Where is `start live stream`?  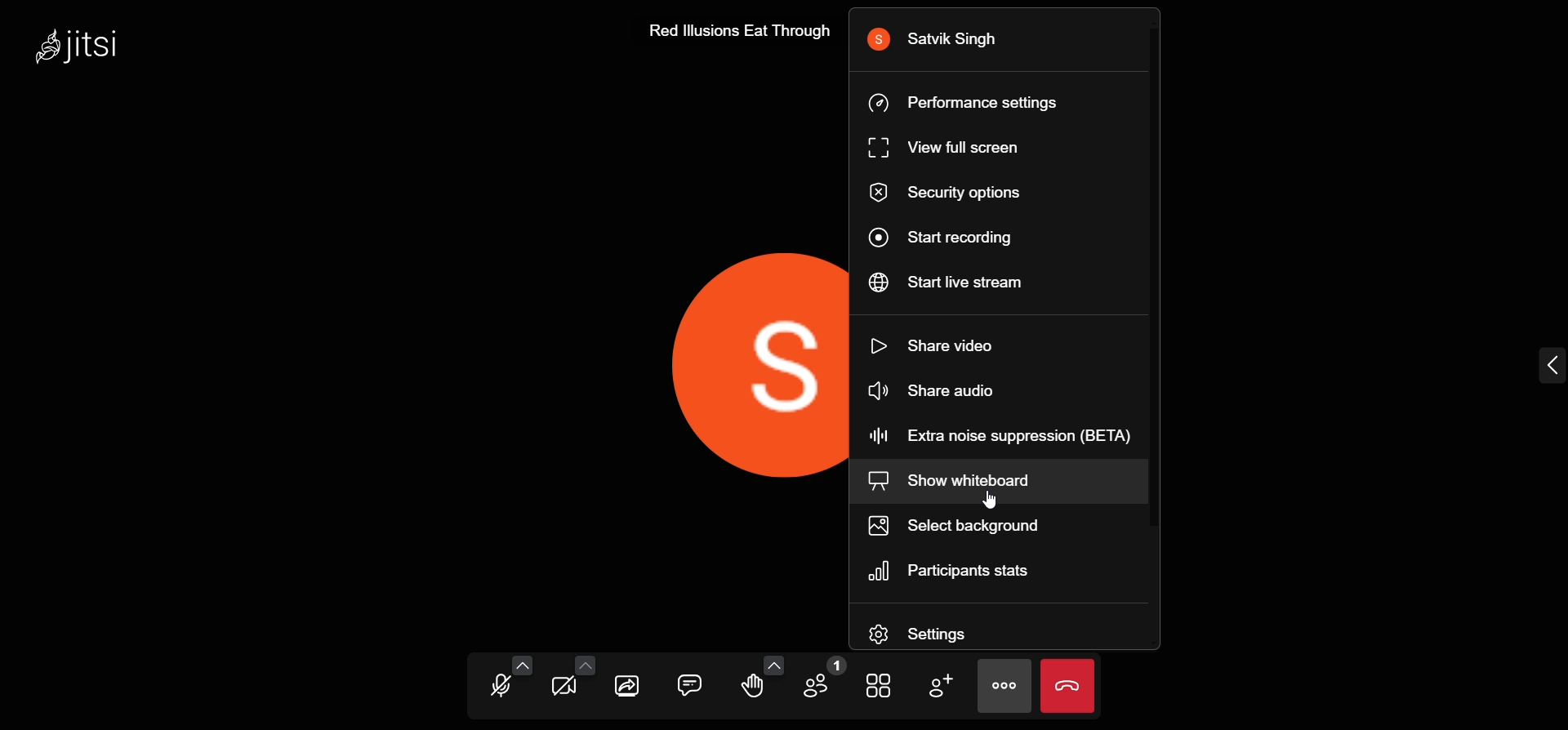
start live stream is located at coordinates (959, 281).